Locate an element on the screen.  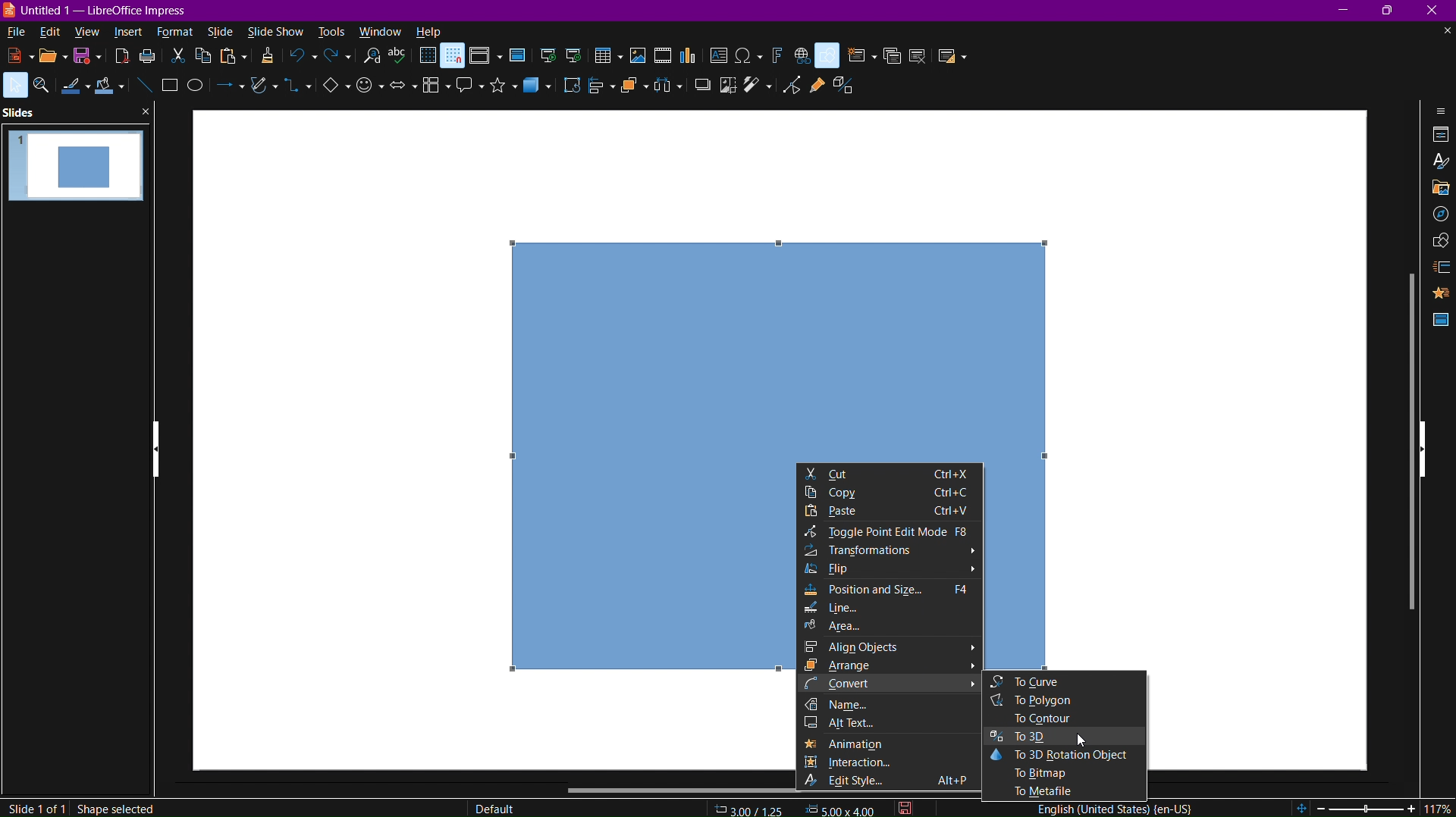
Position and Size is located at coordinates (890, 590).